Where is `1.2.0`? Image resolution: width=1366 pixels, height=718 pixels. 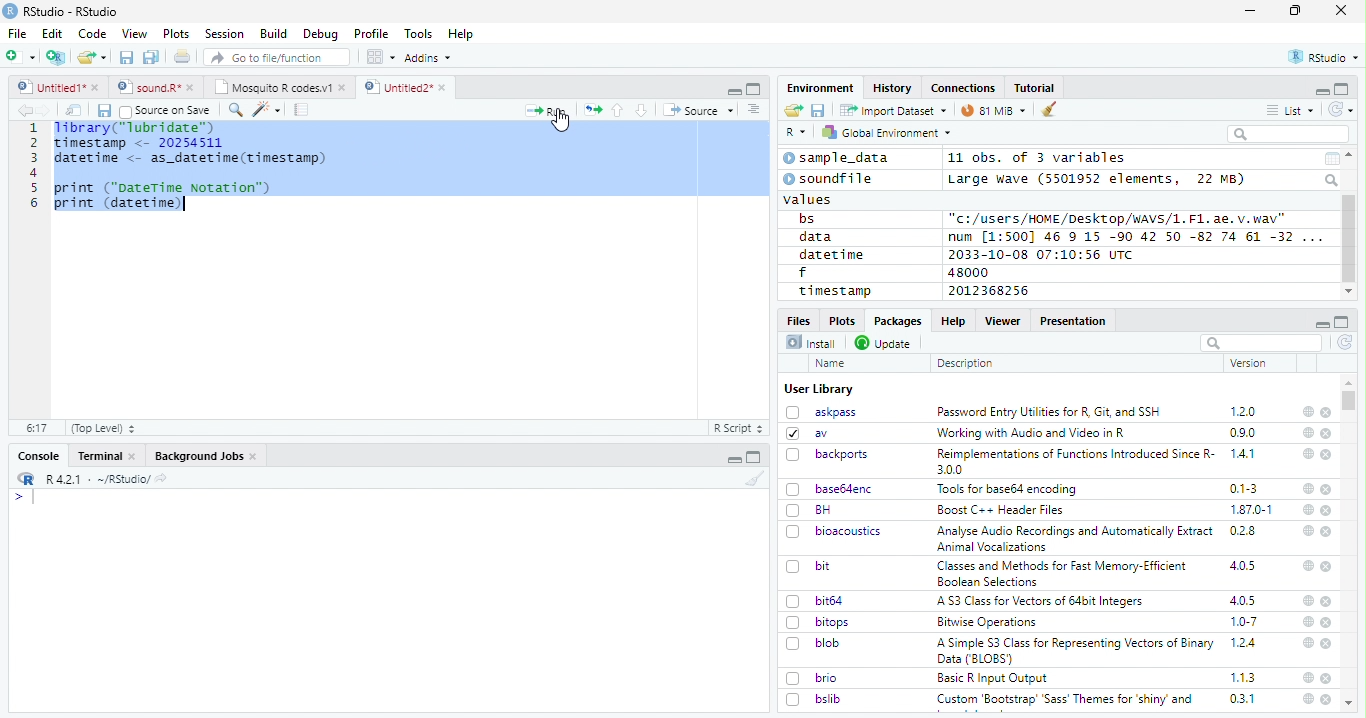
1.2.0 is located at coordinates (1245, 411).